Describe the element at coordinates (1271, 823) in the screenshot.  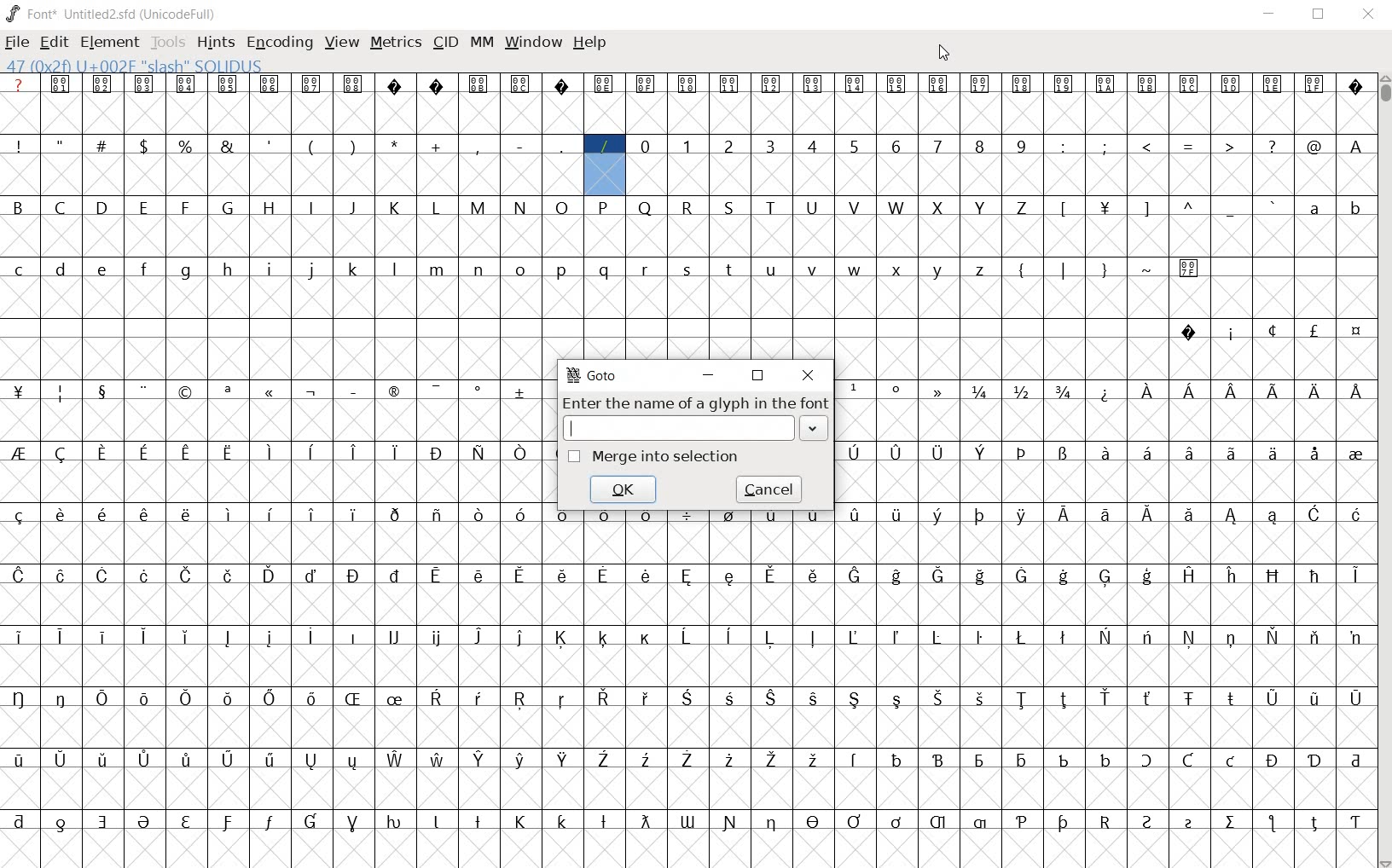
I see `glyph` at that location.